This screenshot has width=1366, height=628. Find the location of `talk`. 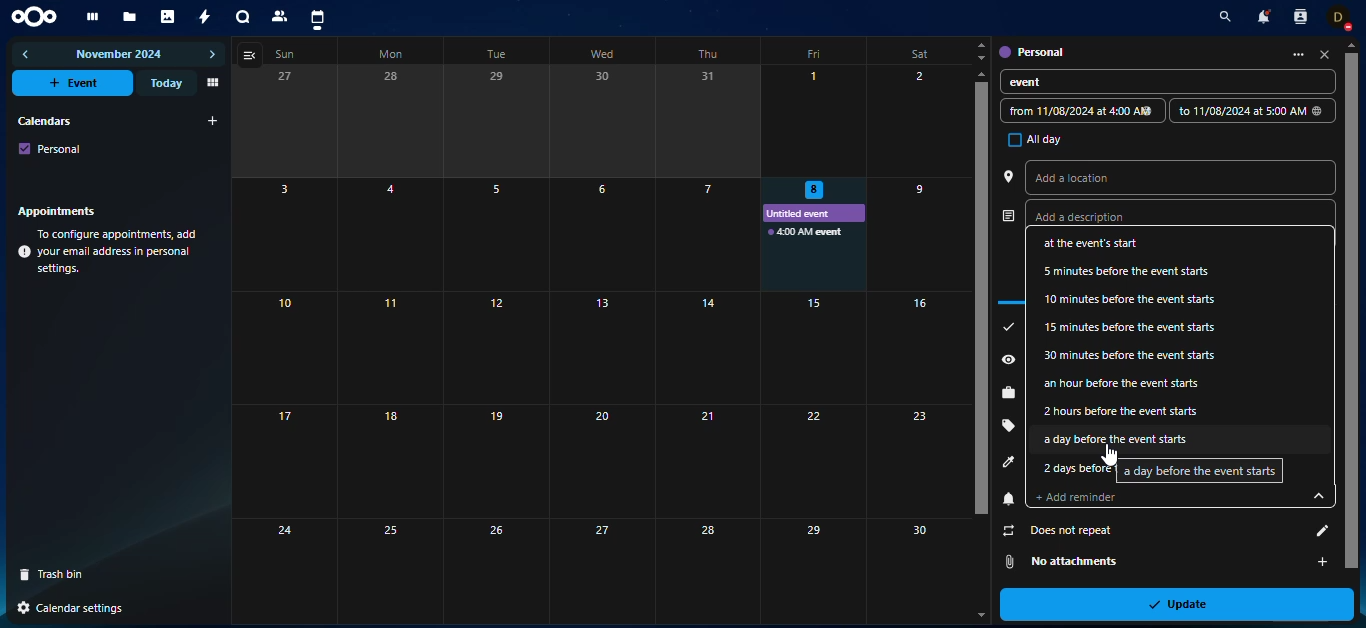

talk is located at coordinates (243, 18).